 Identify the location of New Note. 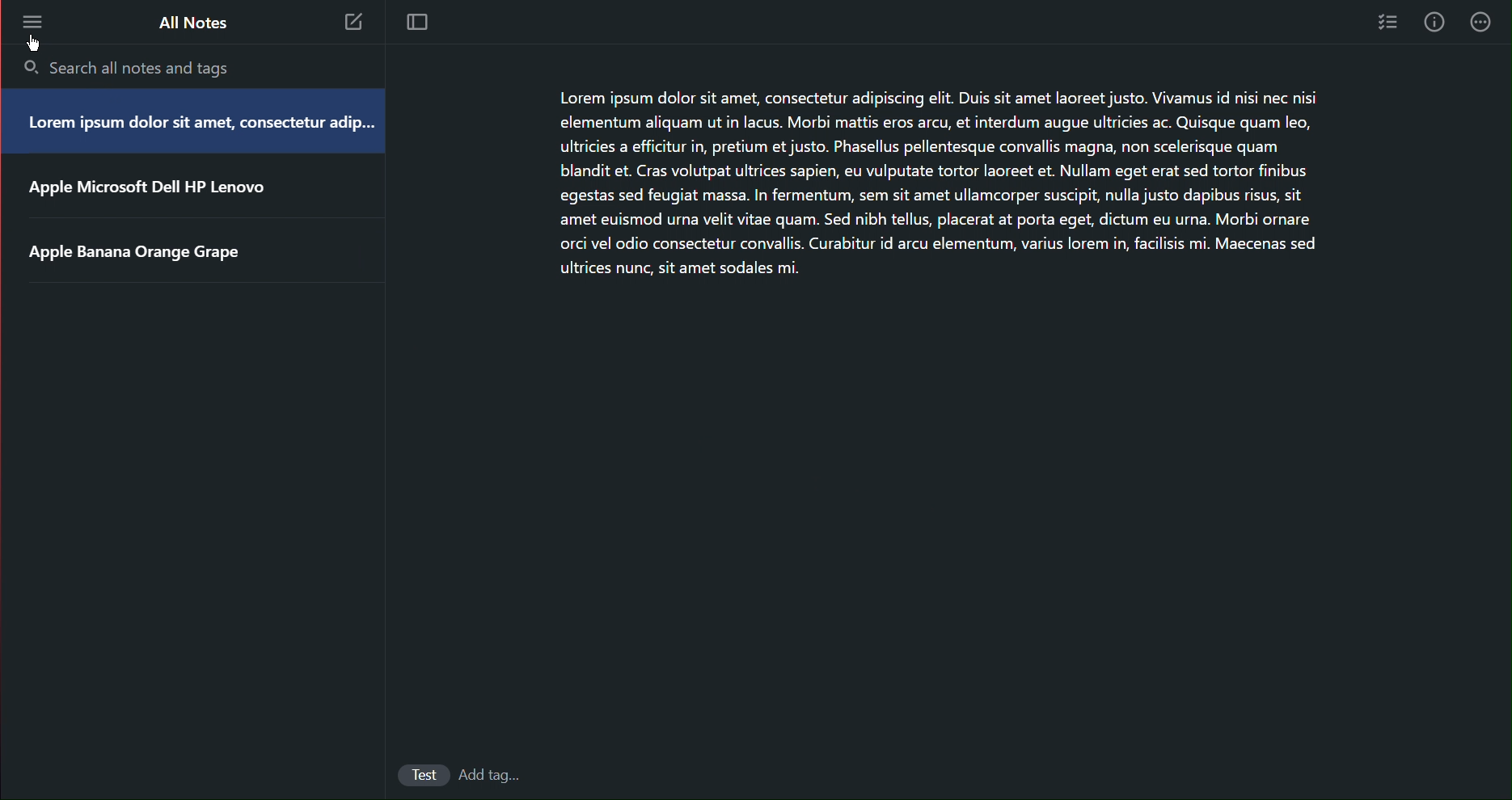
(356, 23).